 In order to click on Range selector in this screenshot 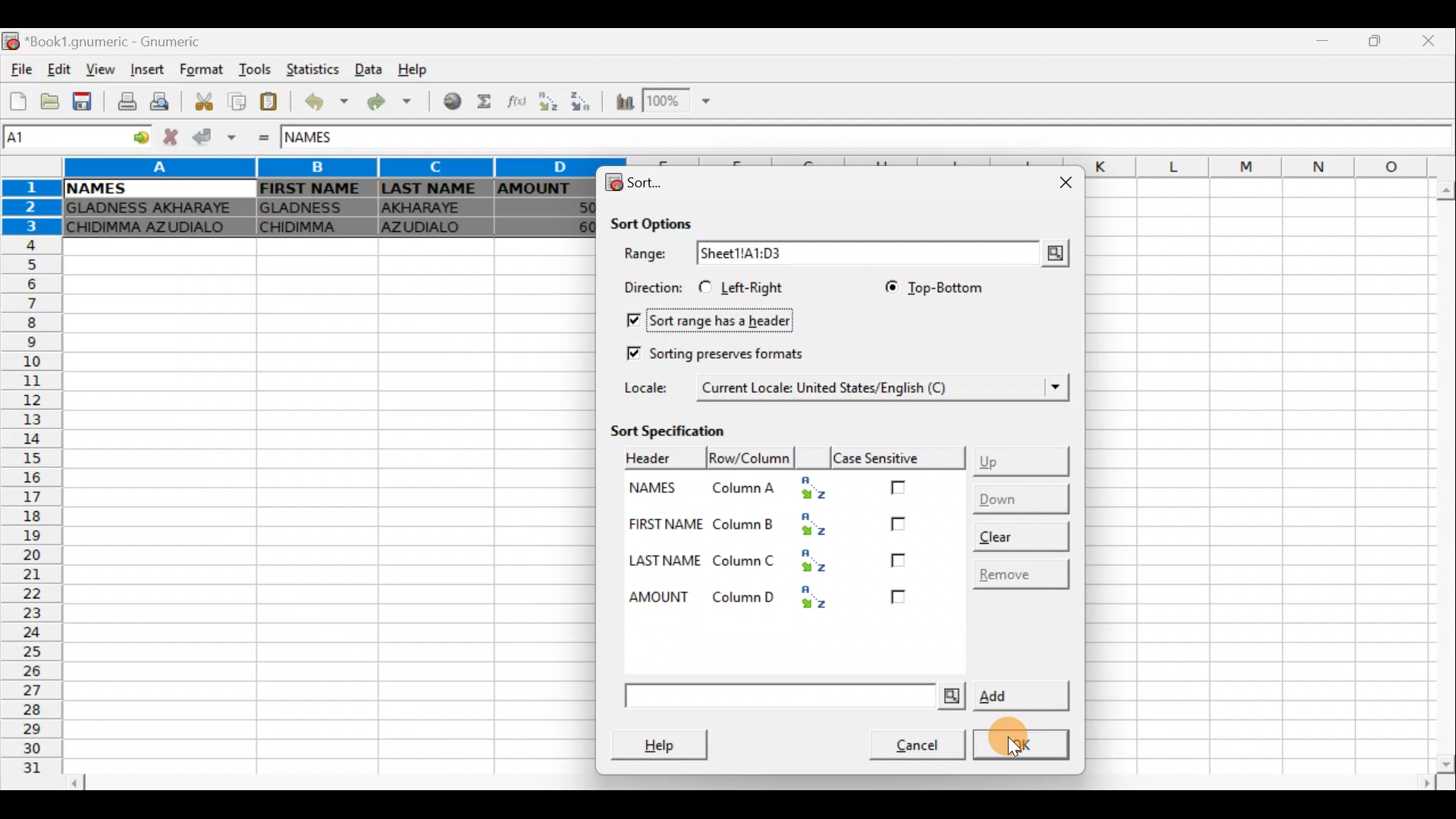, I will do `click(1053, 253)`.